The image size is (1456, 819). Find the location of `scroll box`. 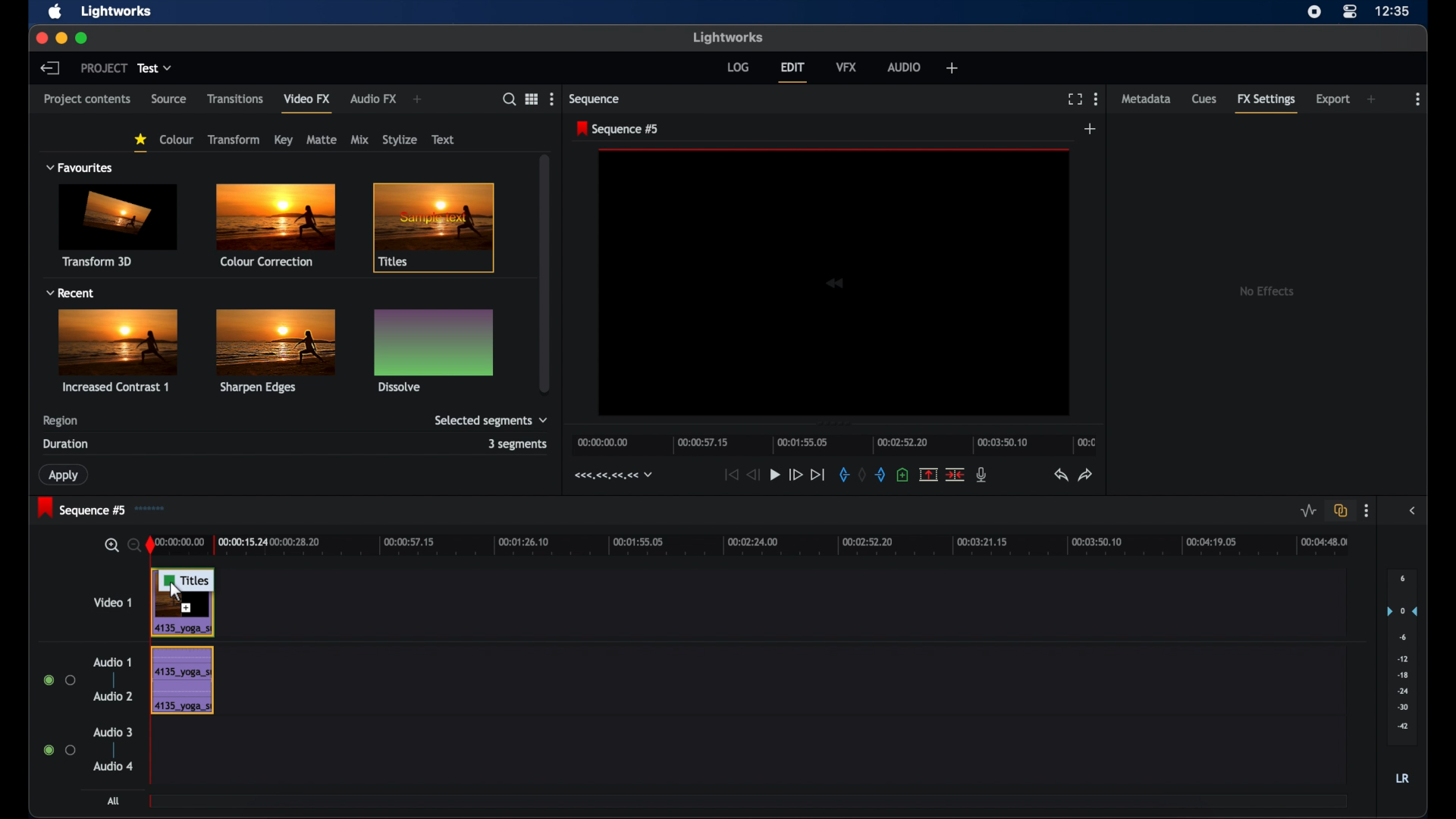

scroll box is located at coordinates (546, 273).